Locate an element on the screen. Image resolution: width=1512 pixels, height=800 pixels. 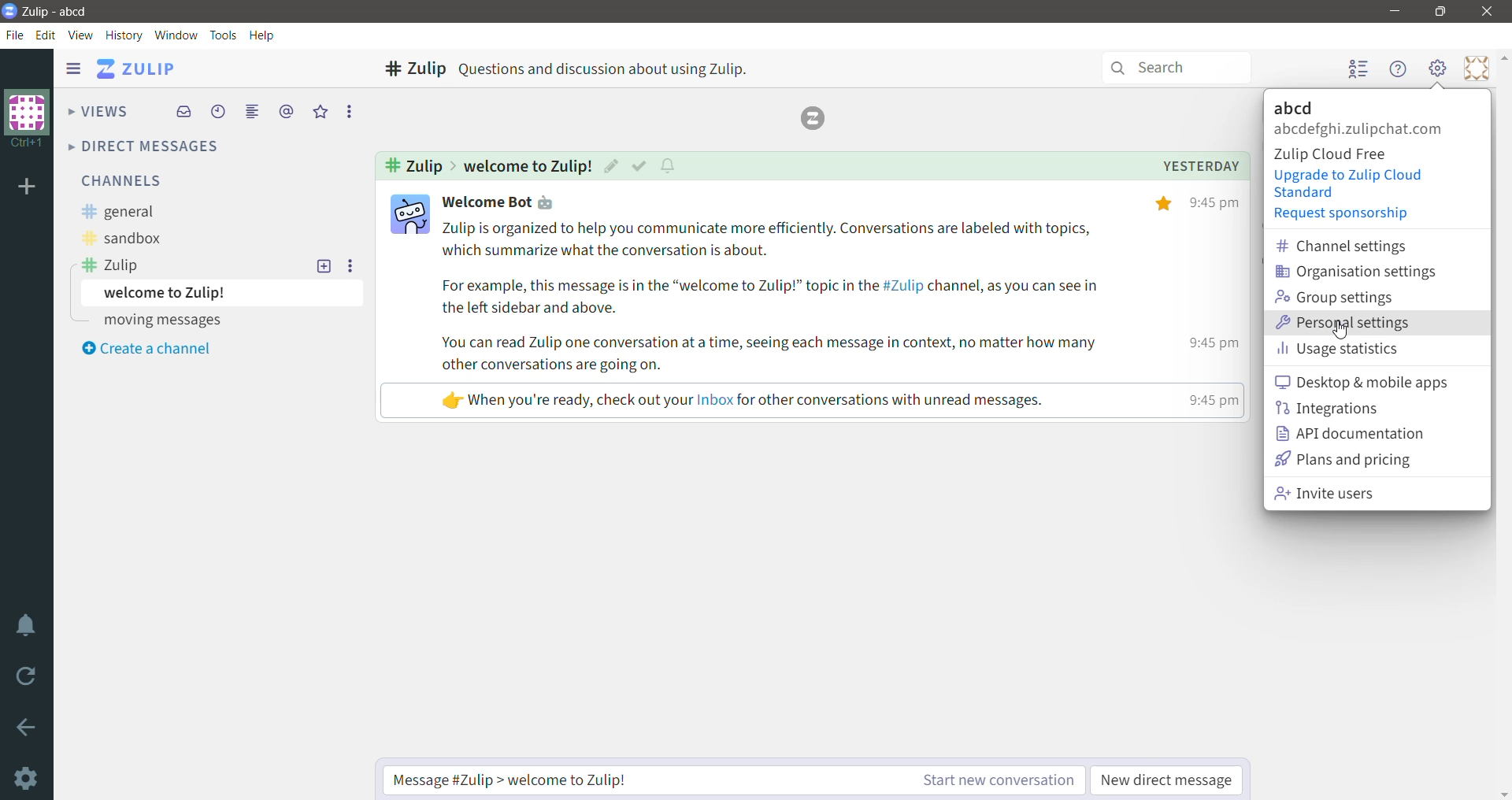
Edit Topic is located at coordinates (611, 165).